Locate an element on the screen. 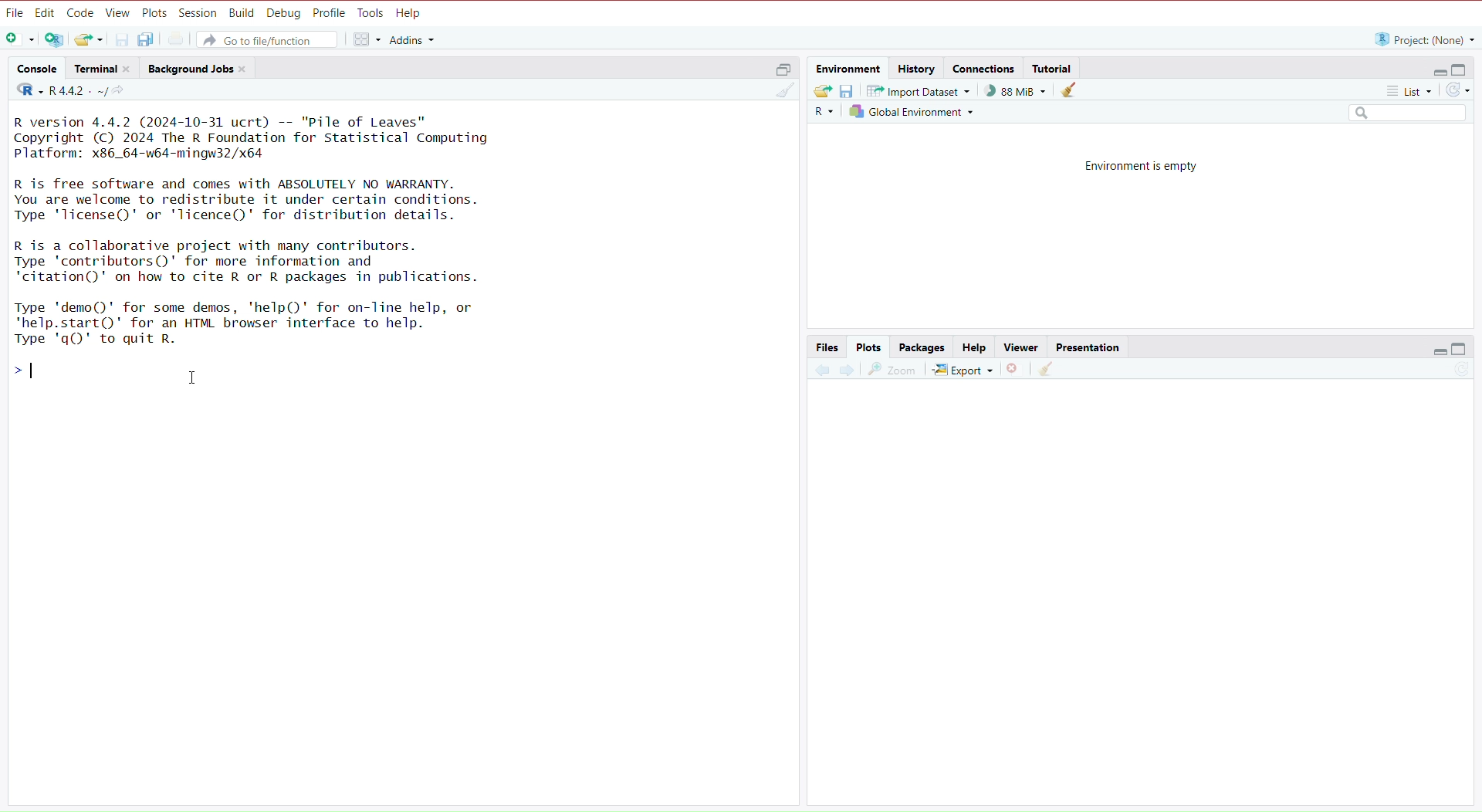 This screenshot has width=1482, height=812. Background Jobs is located at coordinates (197, 67).